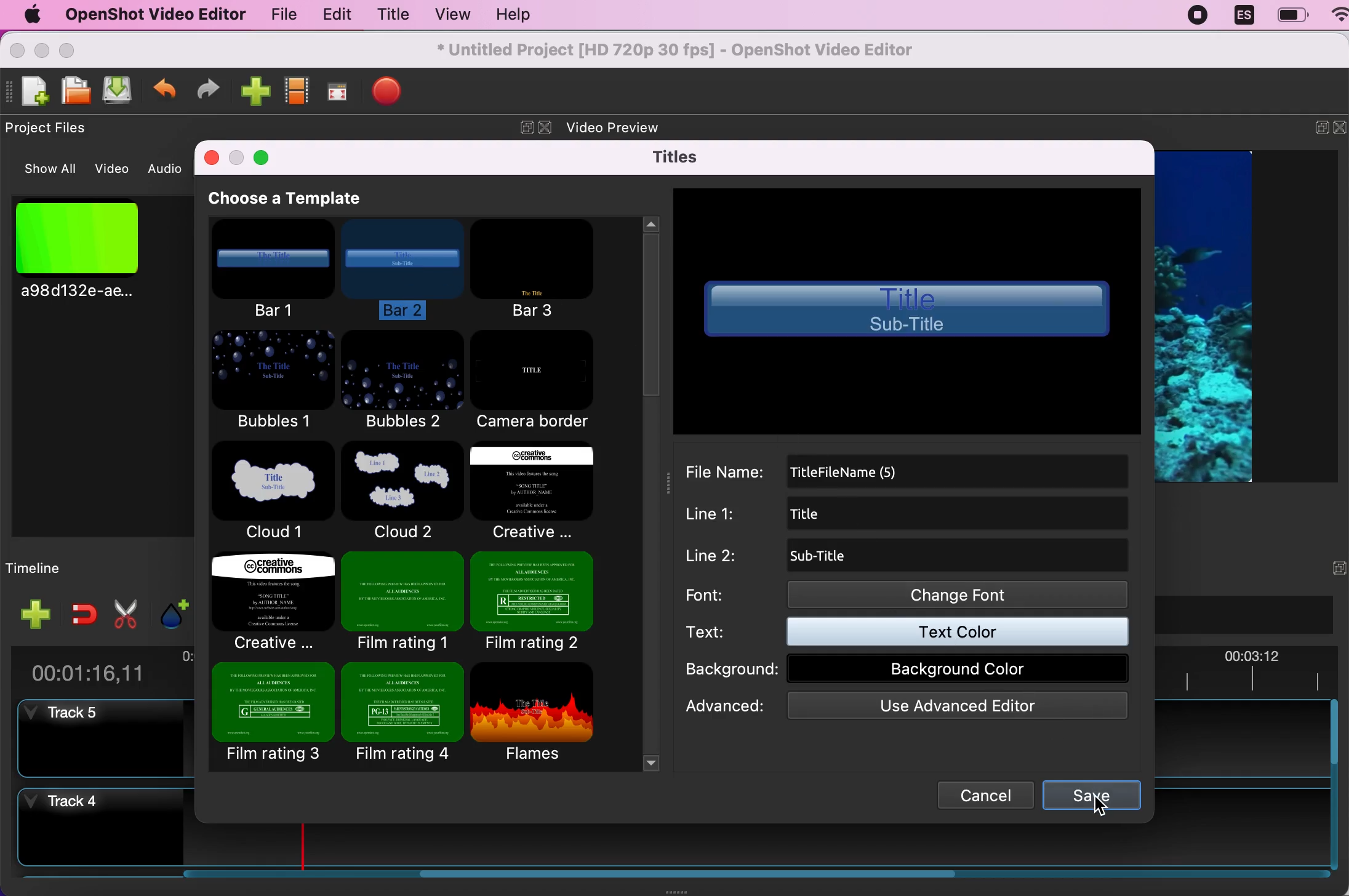  What do you see at coordinates (276, 14) in the screenshot?
I see `file` at bounding box center [276, 14].